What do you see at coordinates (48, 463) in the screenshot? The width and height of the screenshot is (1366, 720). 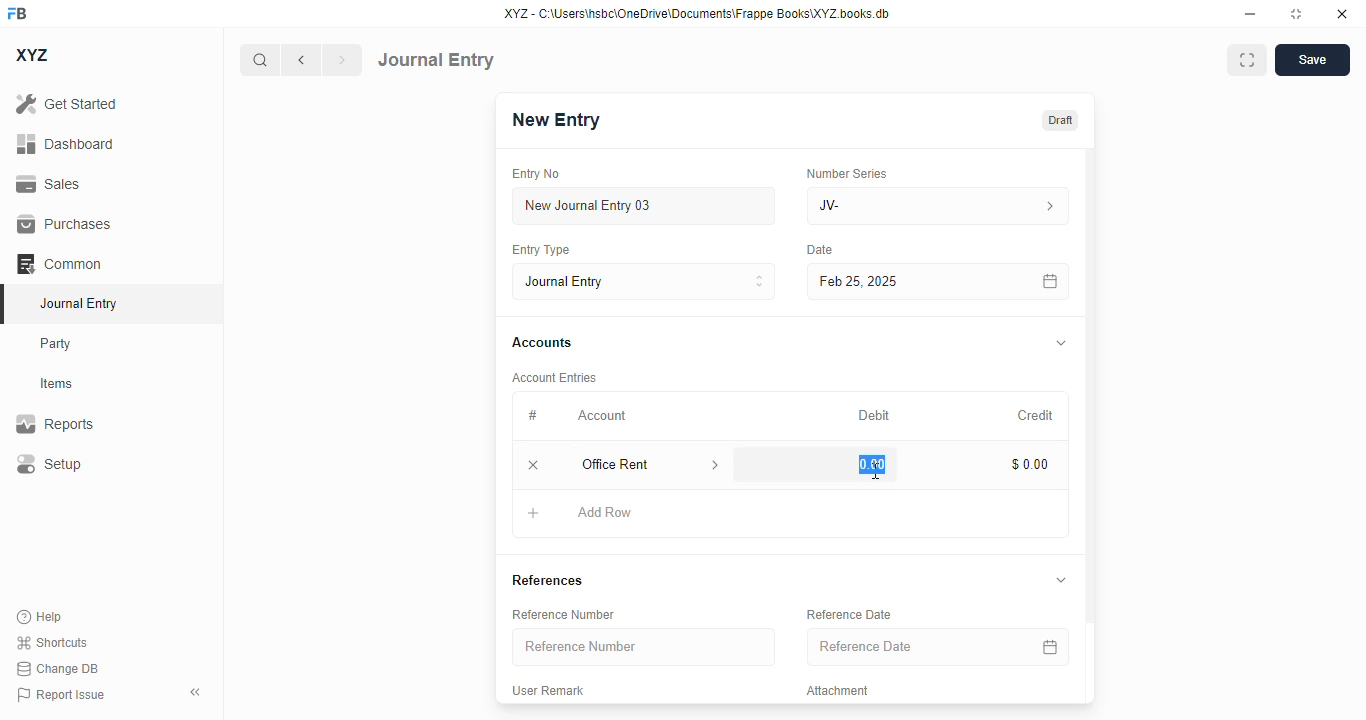 I see `setup` at bounding box center [48, 463].